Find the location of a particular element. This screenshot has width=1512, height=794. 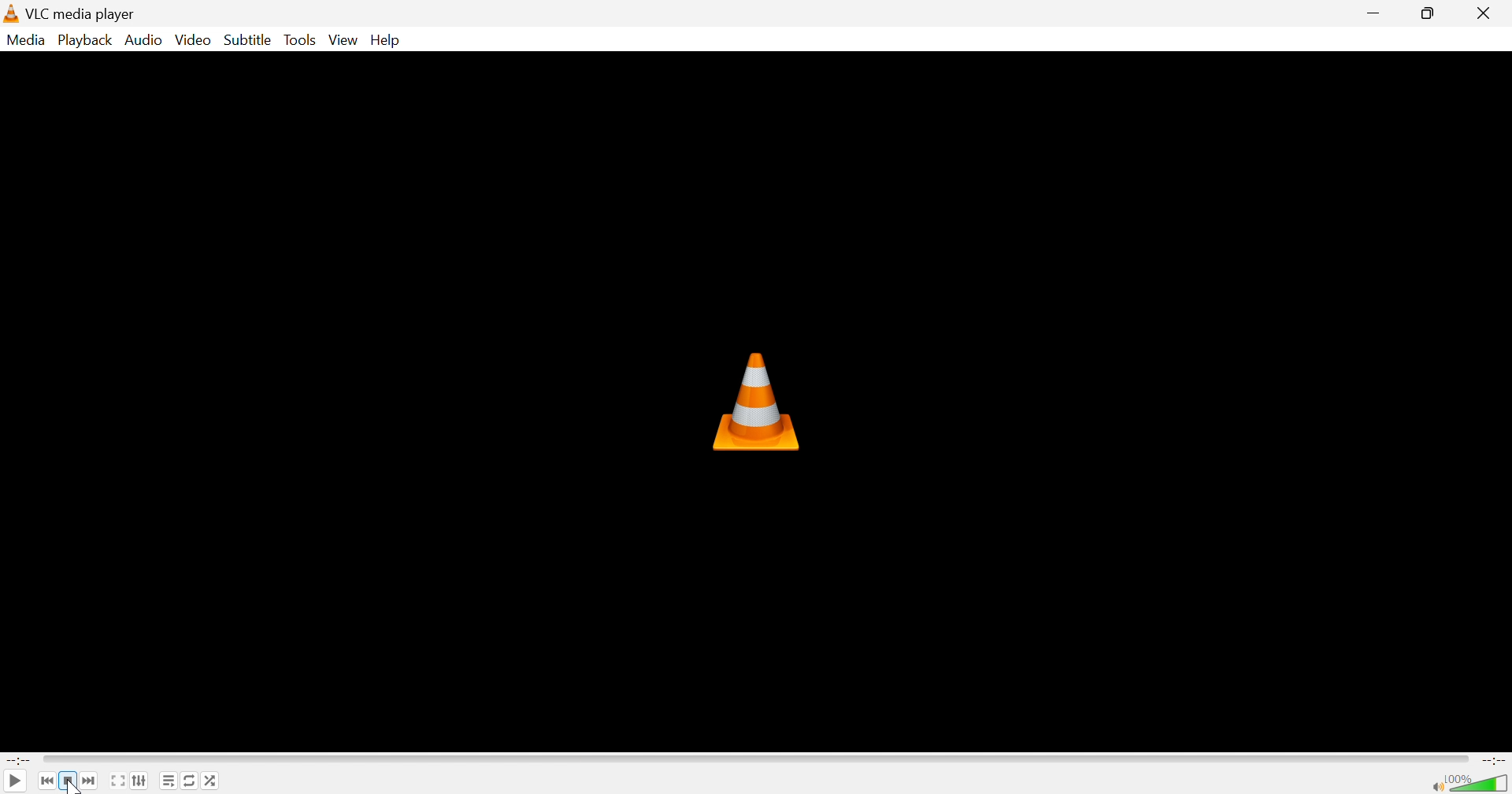

Video is located at coordinates (194, 40).